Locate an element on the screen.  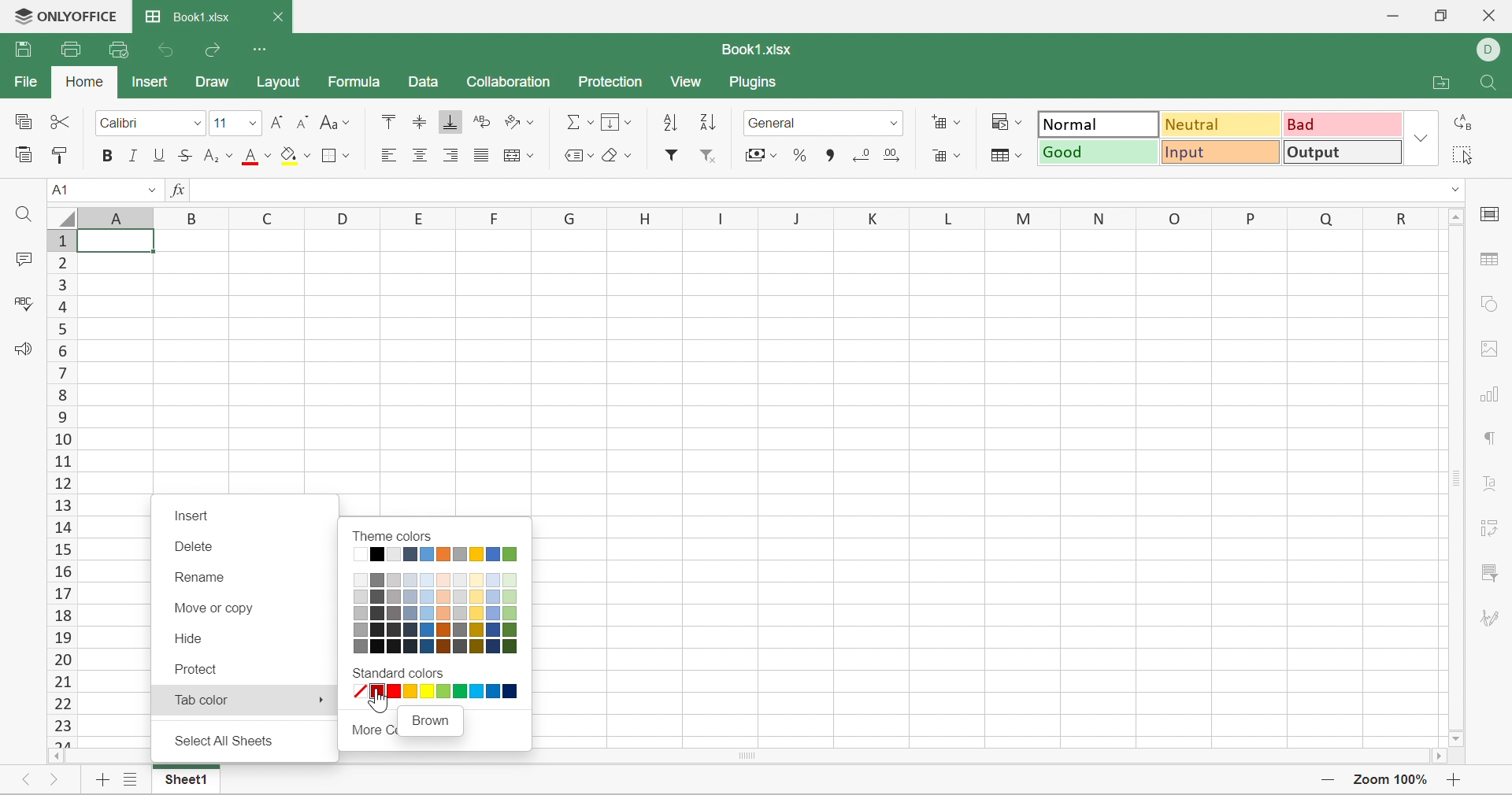
Decrease decimal is located at coordinates (861, 155).